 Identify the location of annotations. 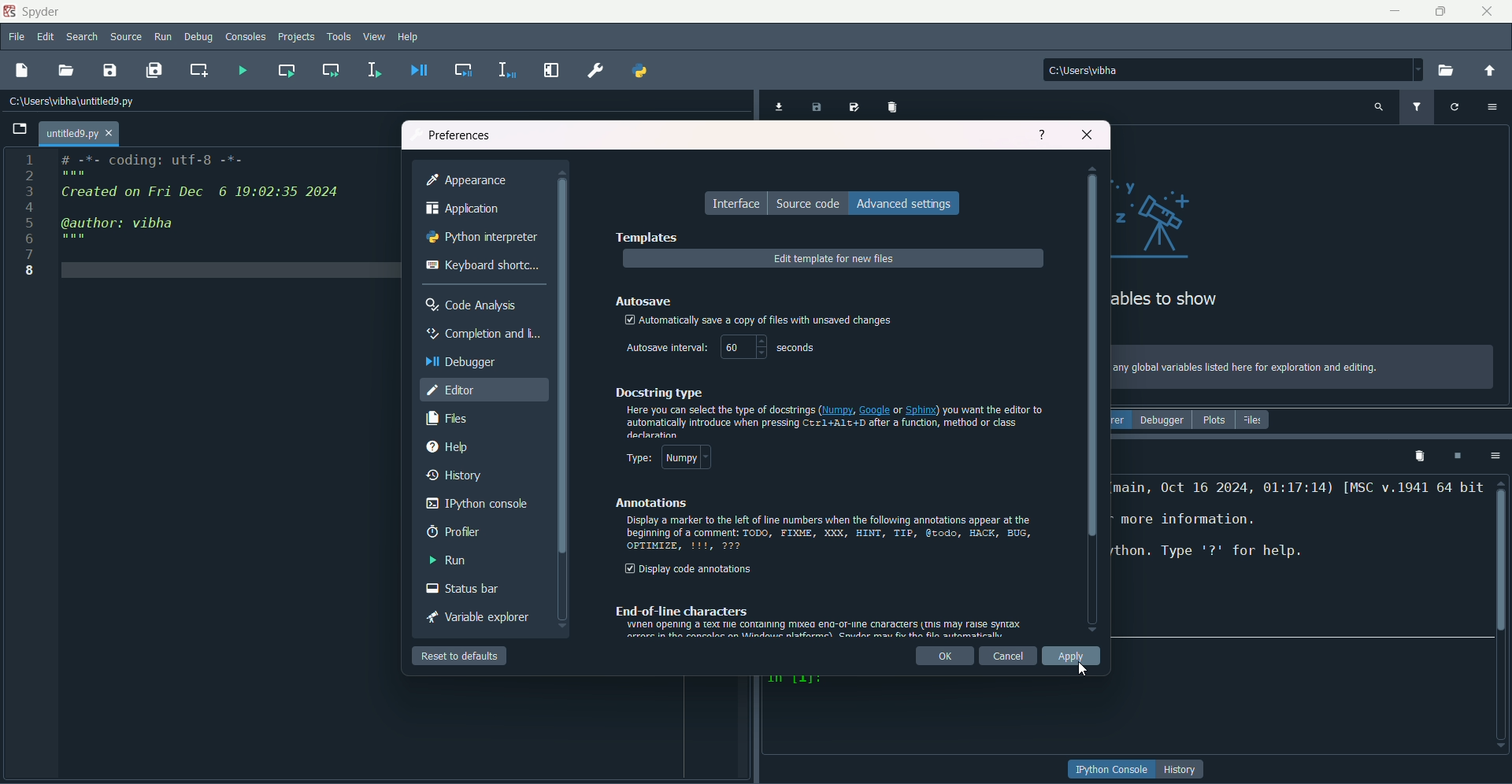
(647, 504).